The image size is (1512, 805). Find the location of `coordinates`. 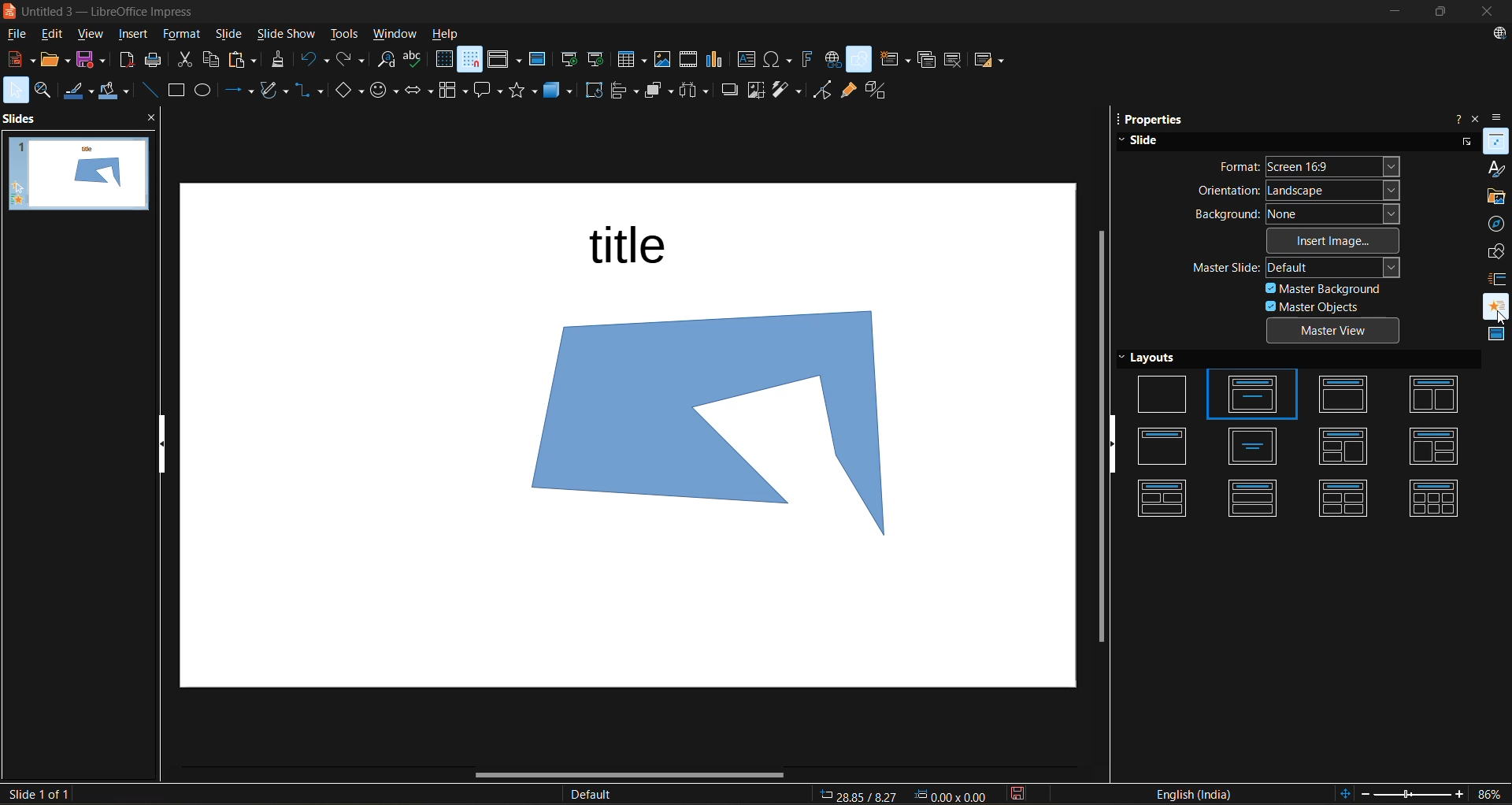

coordinates is located at coordinates (906, 793).